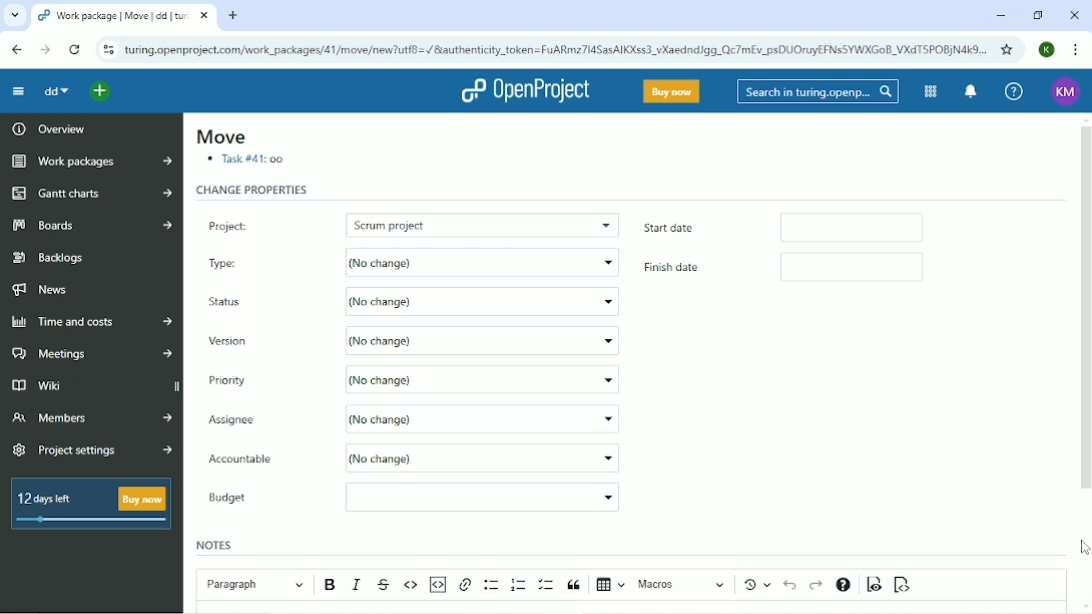 The image size is (1092, 614). What do you see at coordinates (1083, 547) in the screenshot?
I see `Cursor` at bounding box center [1083, 547].